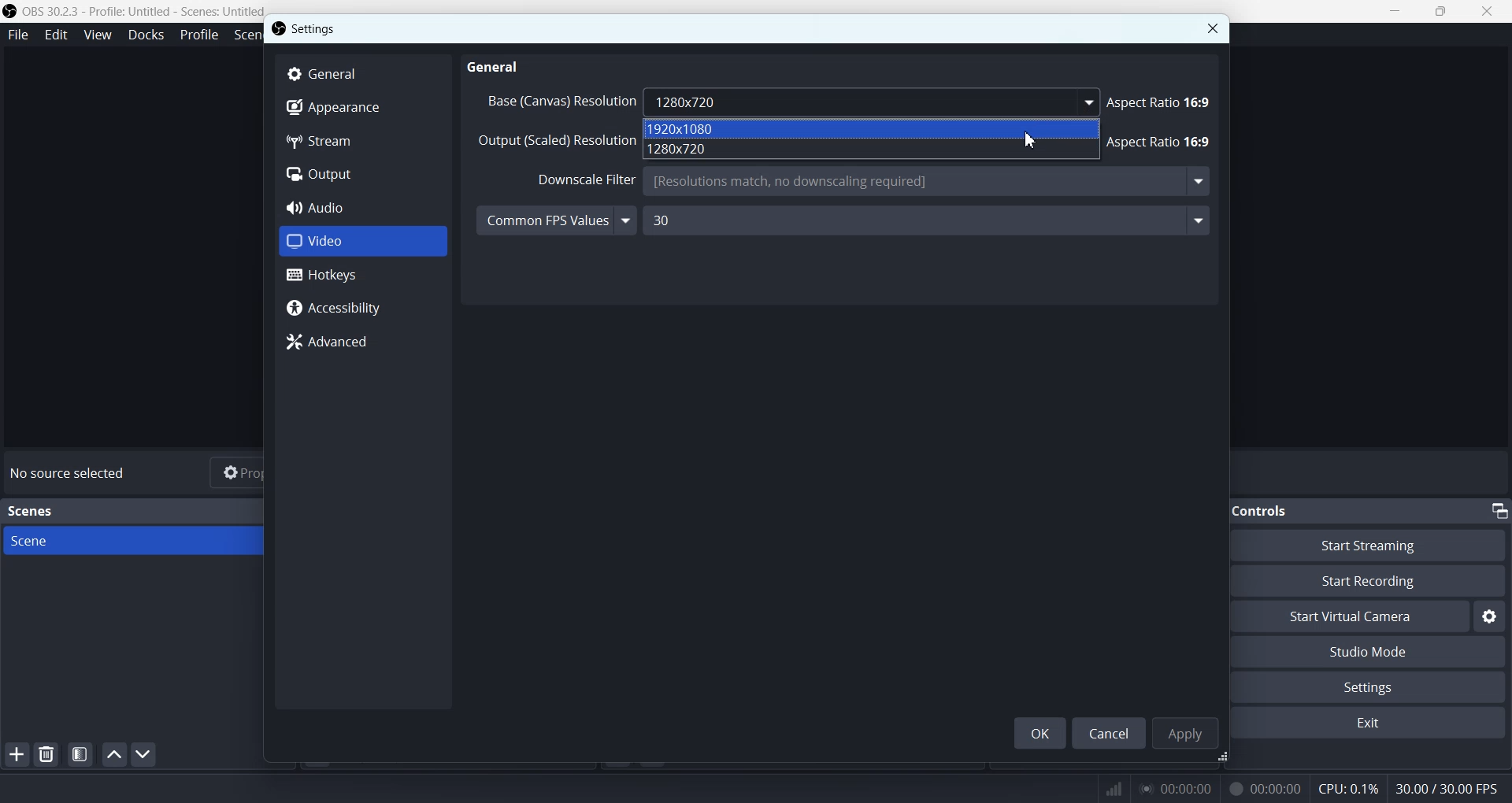 The height and width of the screenshot is (803, 1512). What do you see at coordinates (1358, 616) in the screenshot?
I see `Start Virtual Camera` at bounding box center [1358, 616].